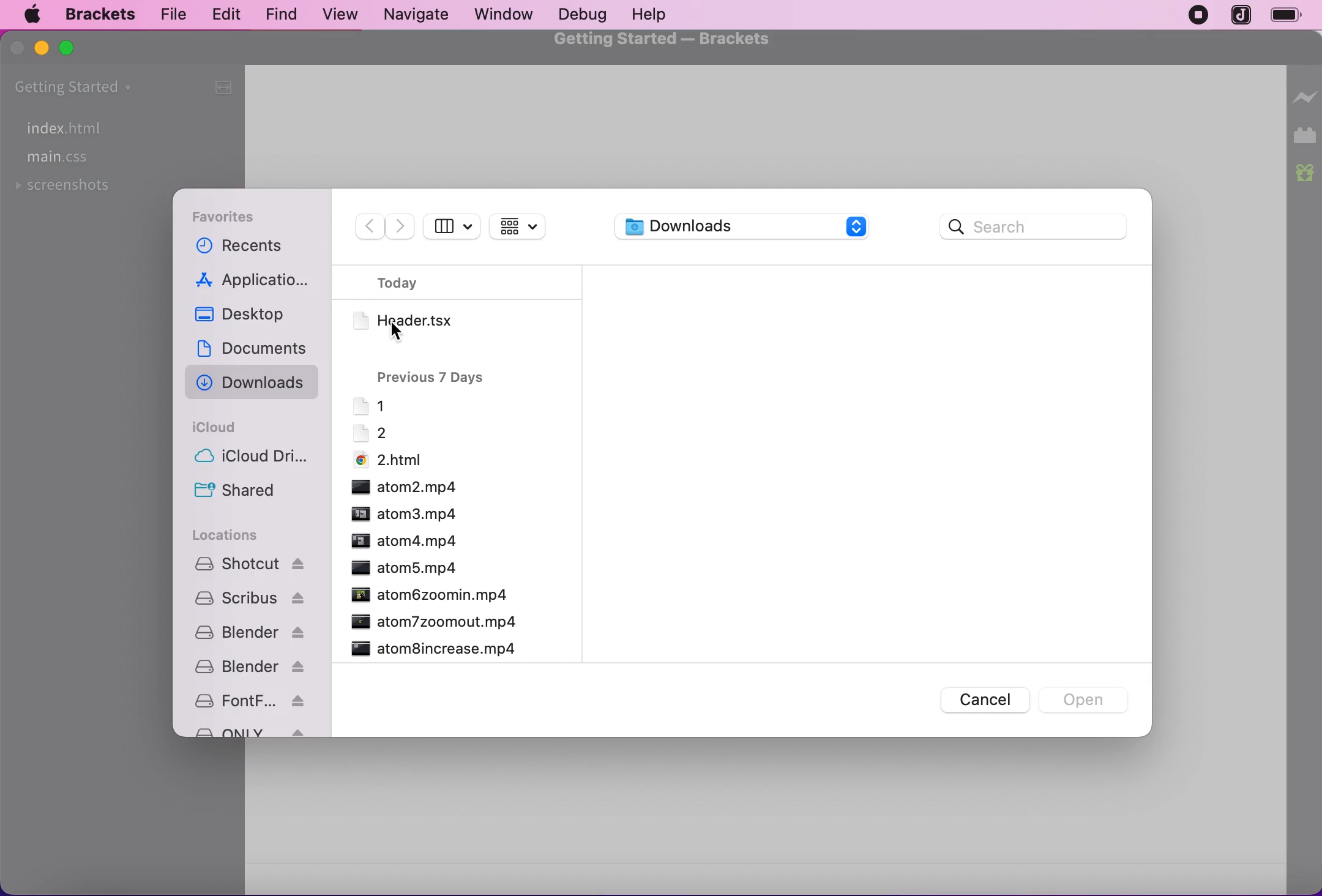 The width and height of the screenshot is (1322, 896). I want to click on desktp, so click(255, 319).